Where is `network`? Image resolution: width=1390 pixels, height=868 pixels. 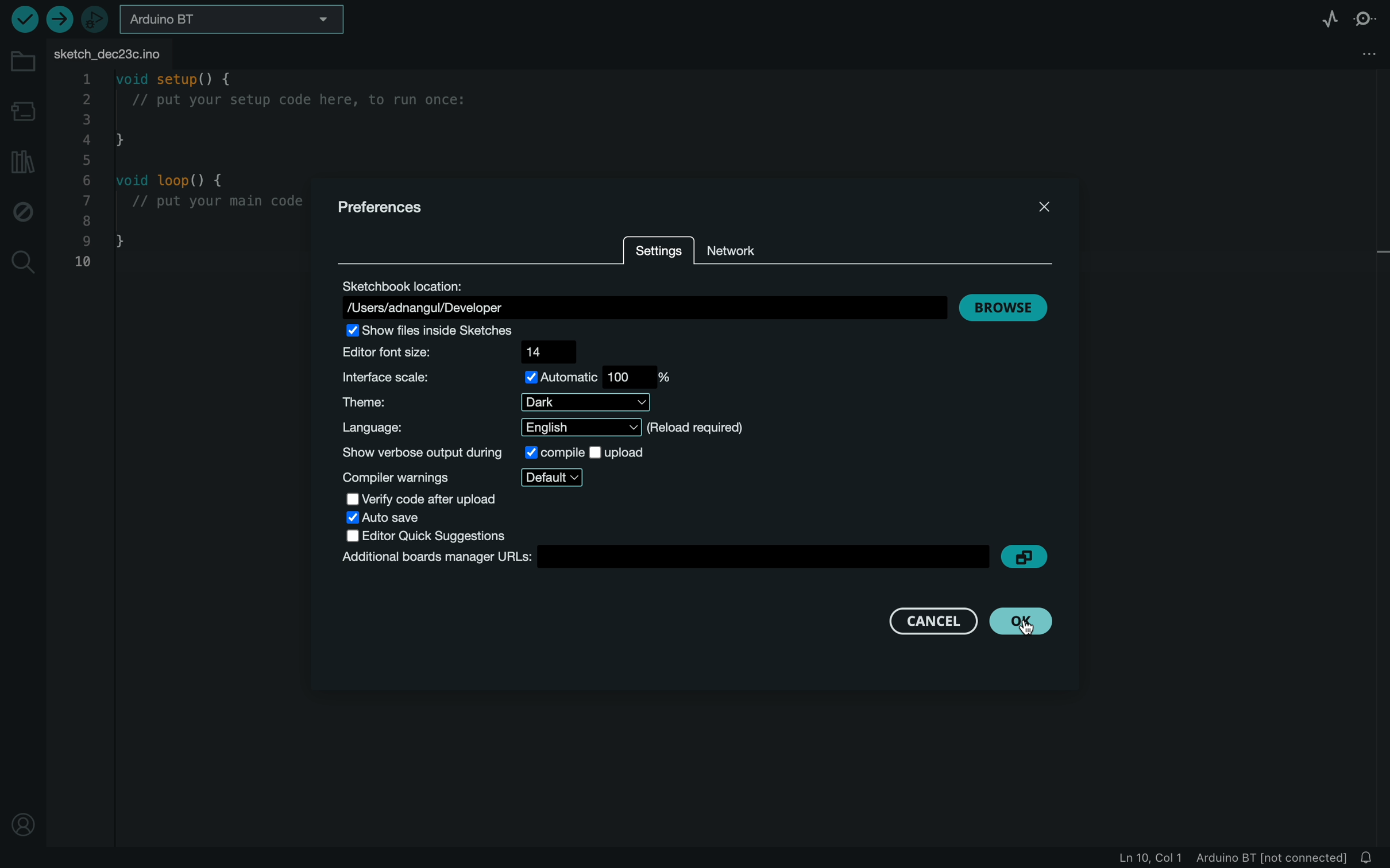
network is located at coordinates (737, 251).